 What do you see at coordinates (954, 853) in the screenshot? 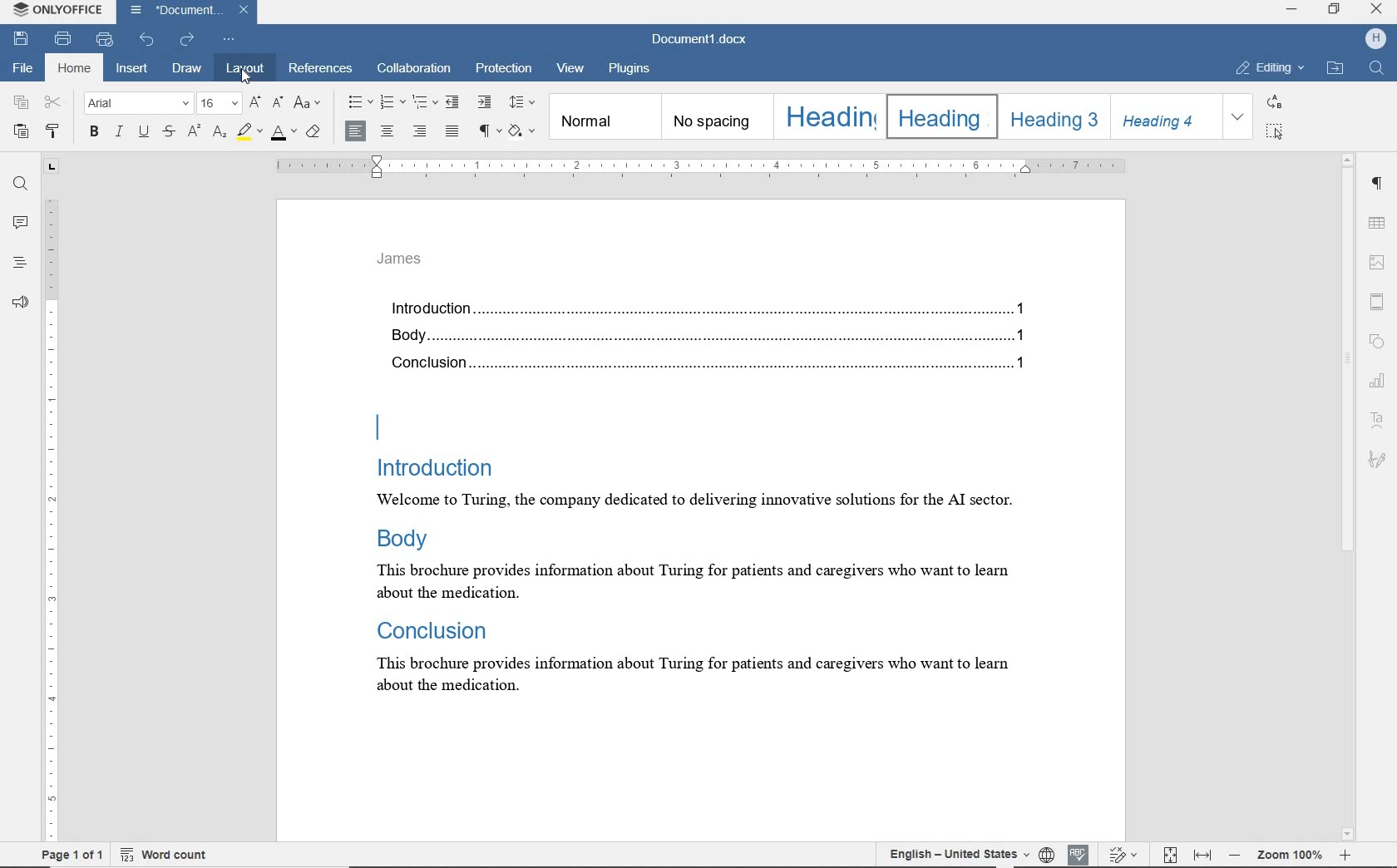
I see `text language` at bounding box center [954, 853].